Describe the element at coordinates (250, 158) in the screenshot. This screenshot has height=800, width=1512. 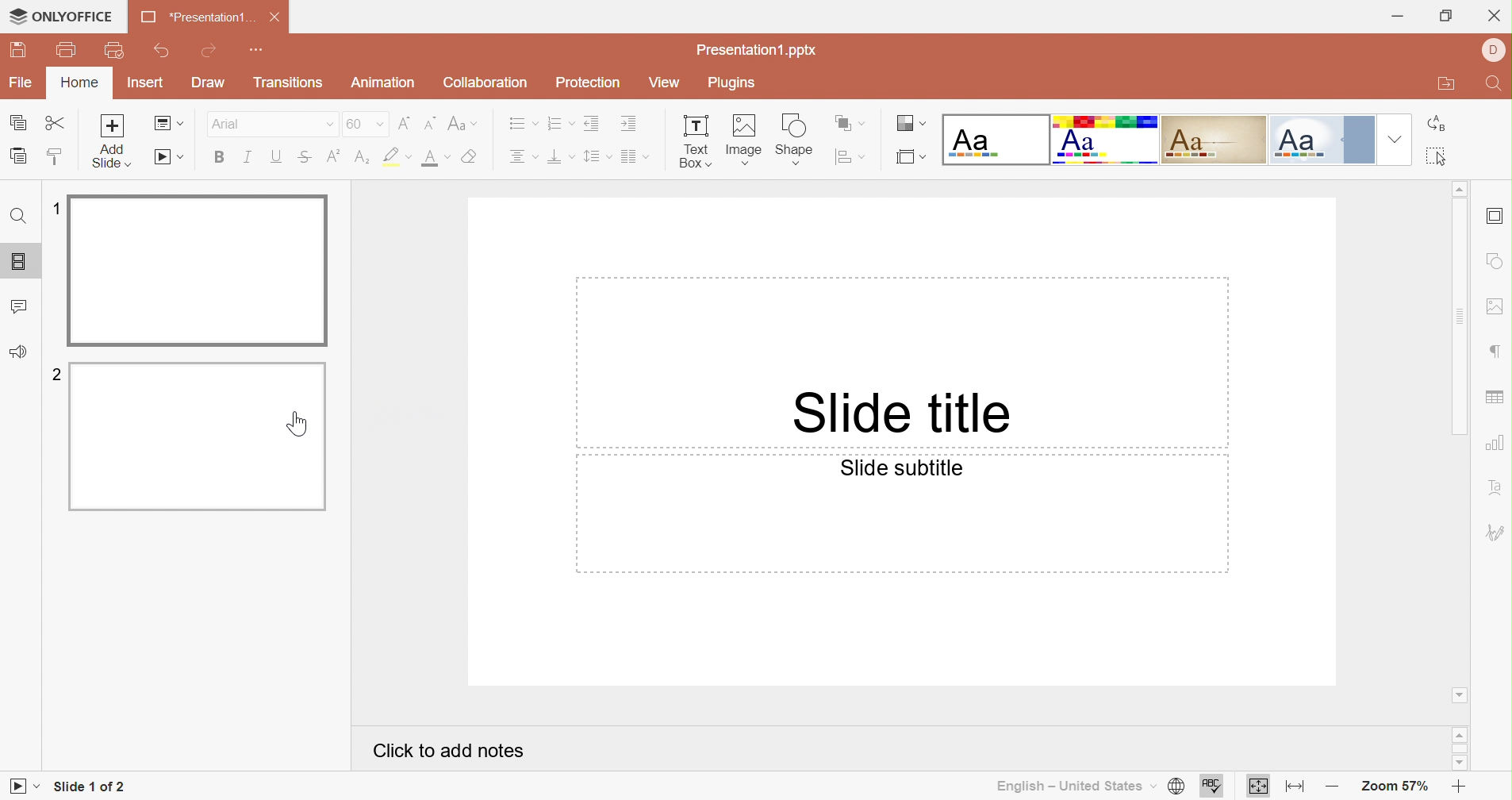
I see `Italic` at that location.